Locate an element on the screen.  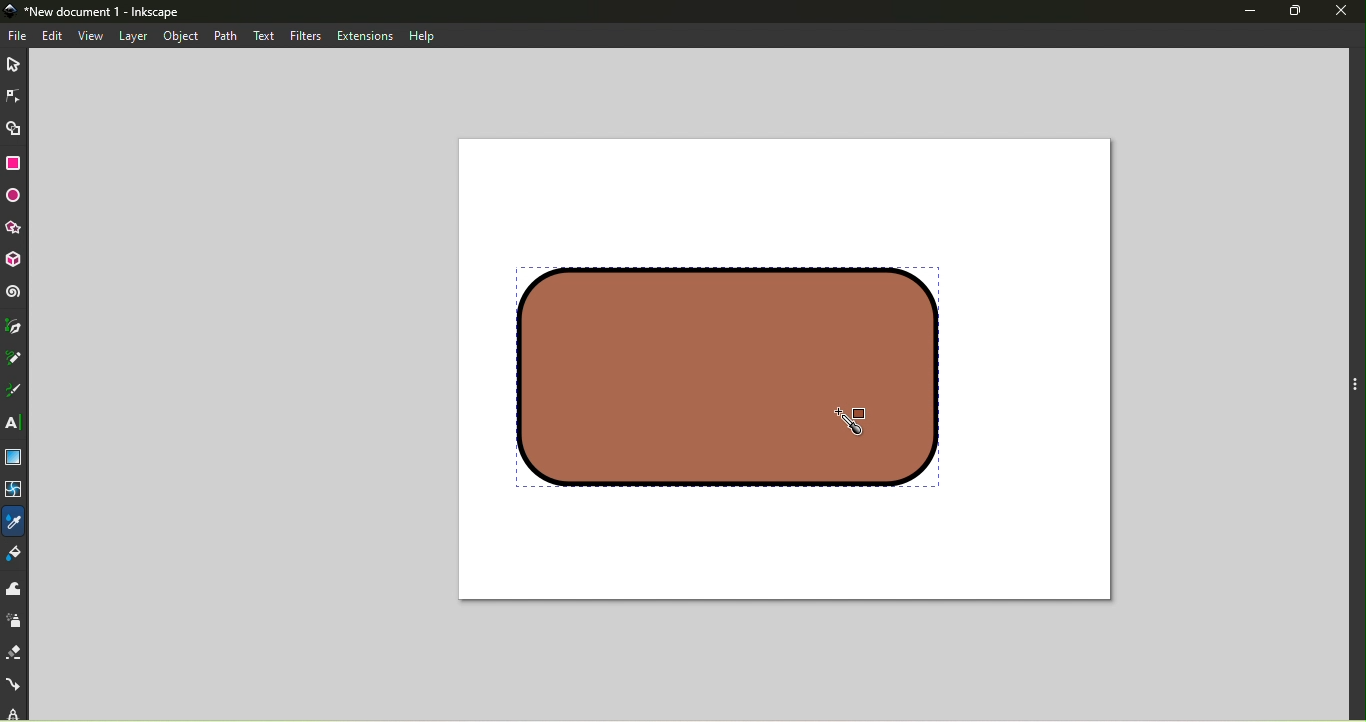
Minimize is located at coordinates (1248, 12).